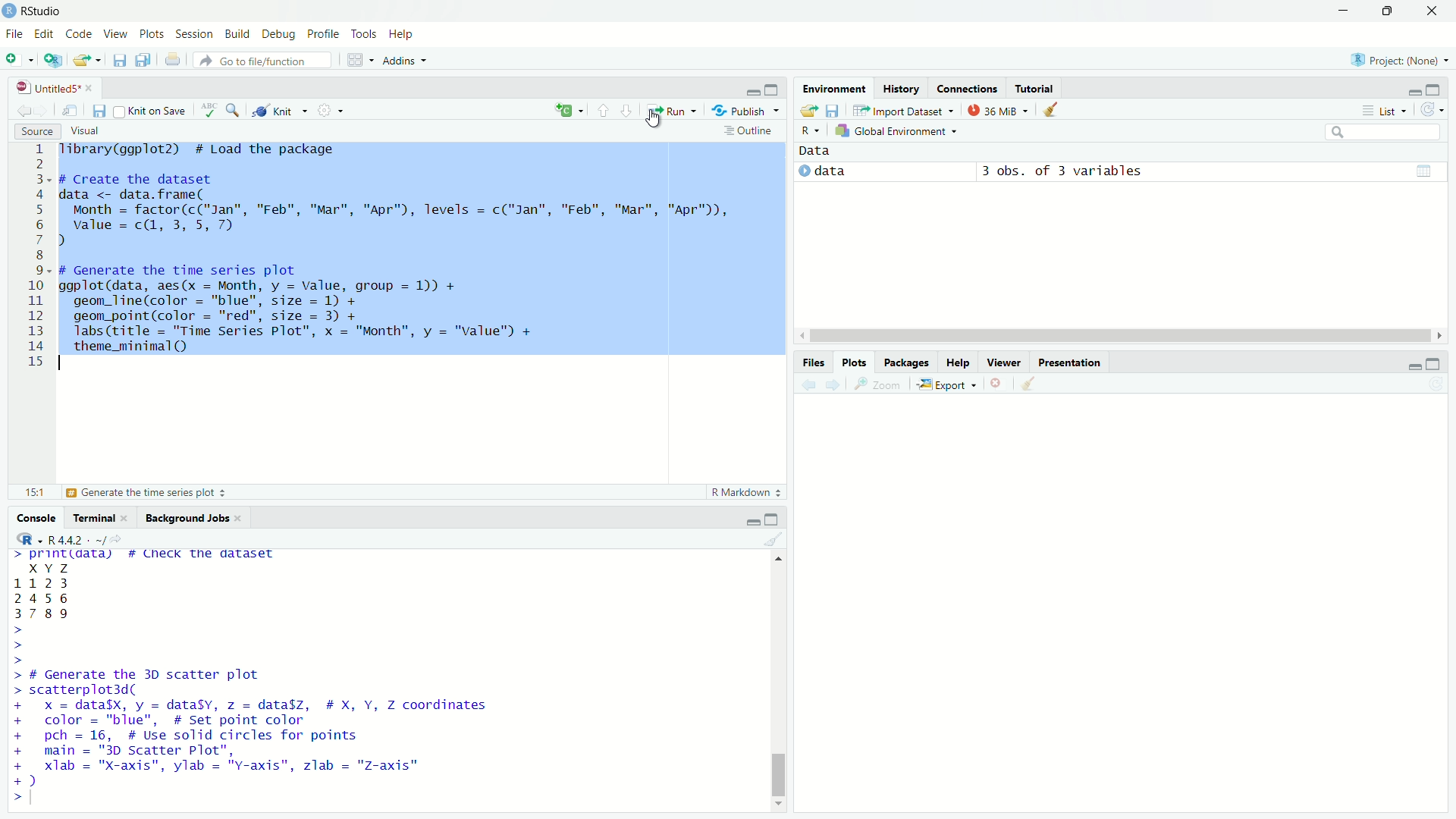  What do you see at coordinates (27, 492) in the screenshot?
I see `13:63` at bounding box center [27, 492].